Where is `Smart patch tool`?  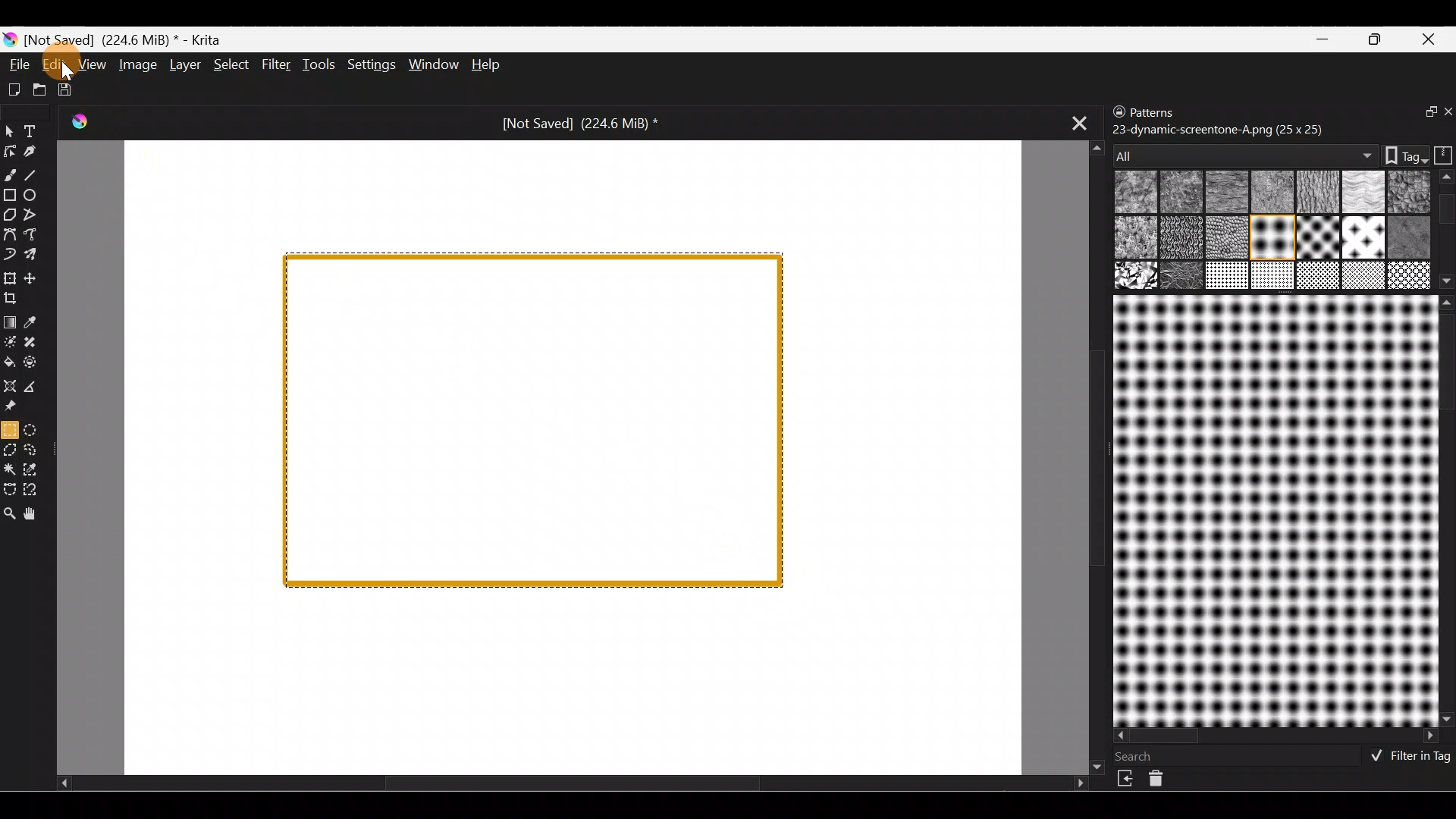 Smart patch tool is located at coordinates (39, 344).